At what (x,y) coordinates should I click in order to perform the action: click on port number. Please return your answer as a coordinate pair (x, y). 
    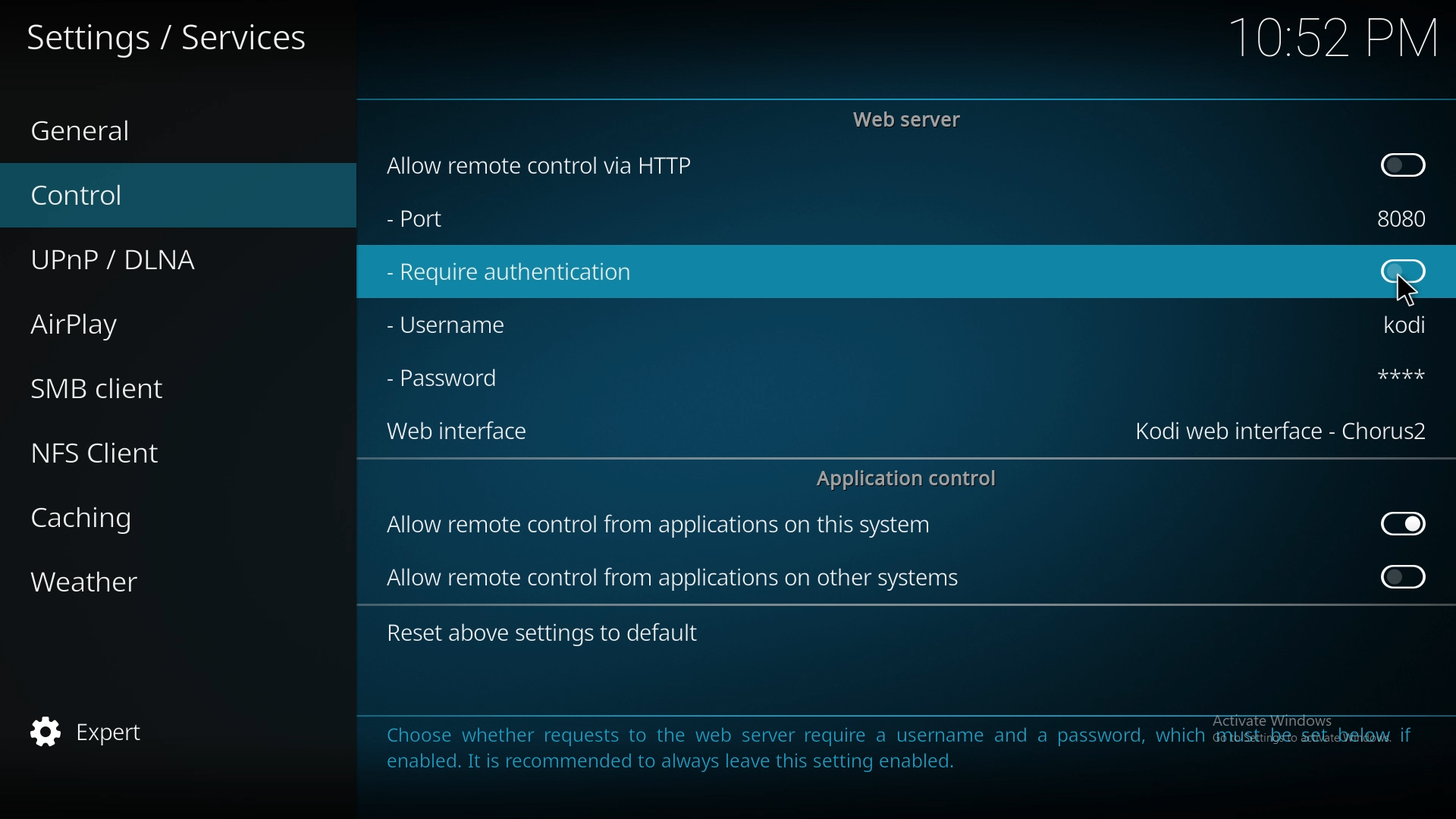
    Looking at the image, I should click on (1403, 218).